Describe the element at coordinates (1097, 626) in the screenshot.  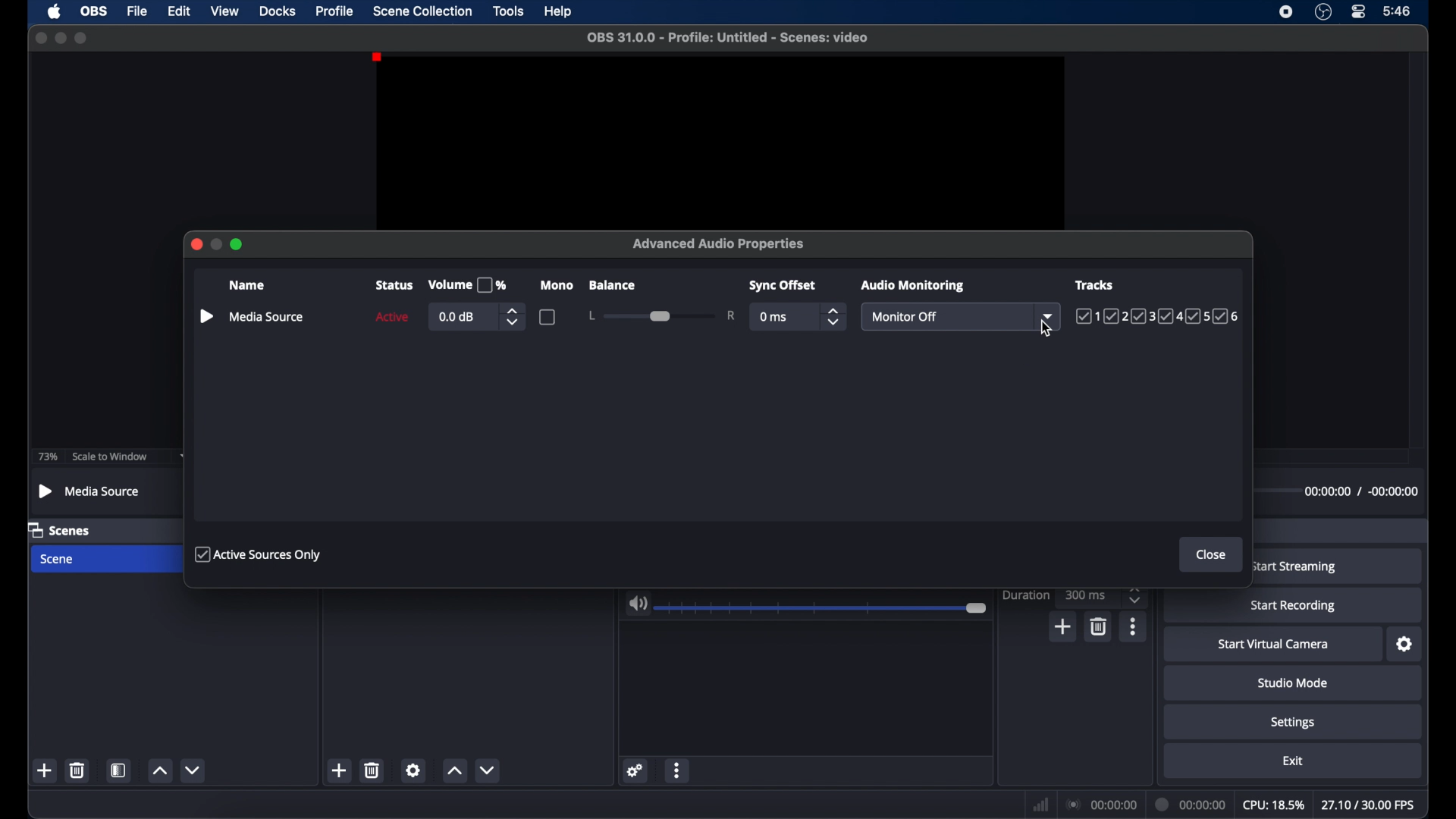
I see `delete` at that location.